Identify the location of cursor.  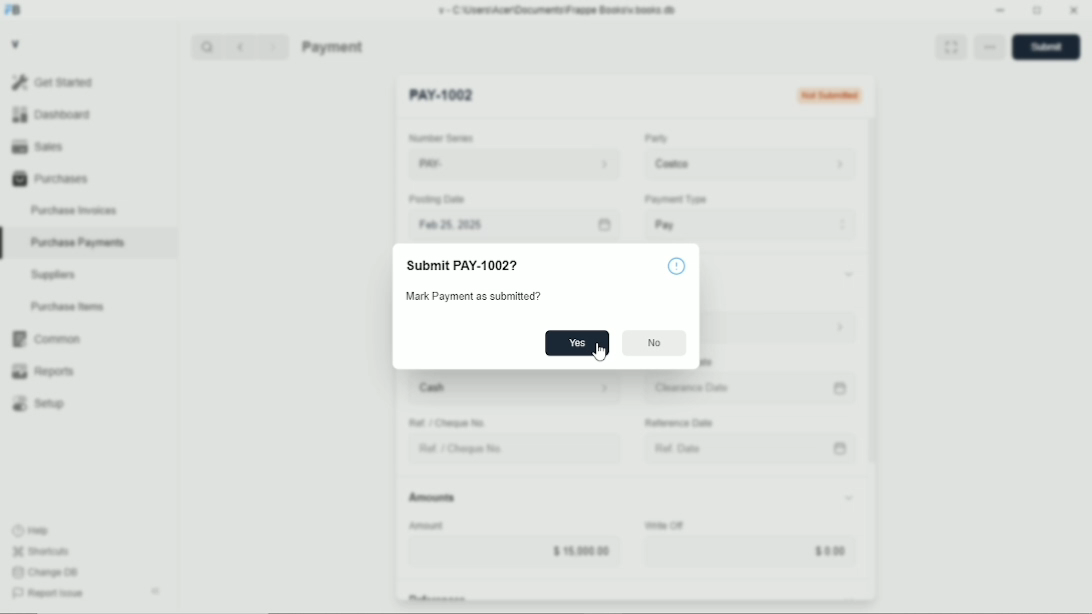
(600, 353).